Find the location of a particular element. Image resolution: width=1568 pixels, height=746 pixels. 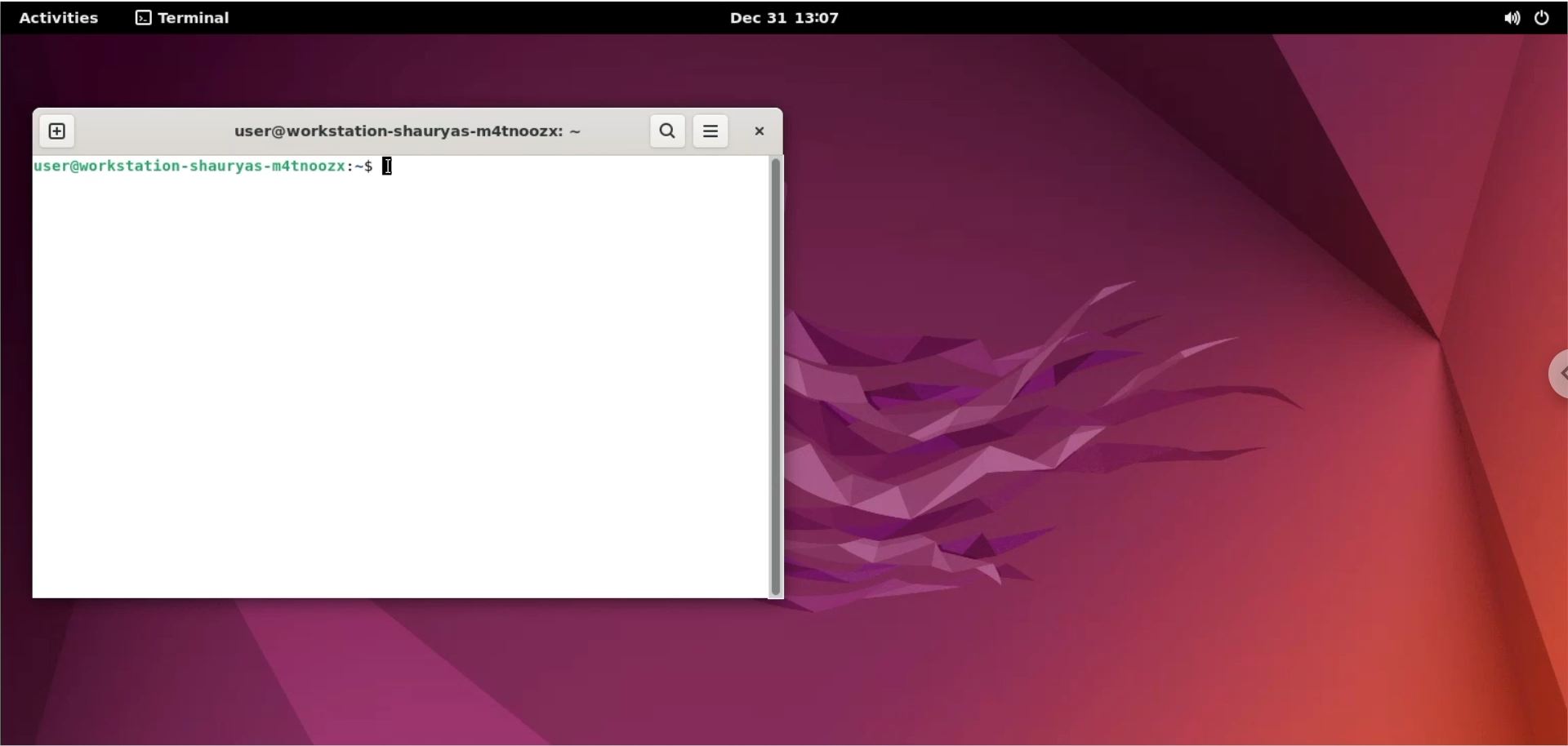

close is located at coordinates (754, 131).